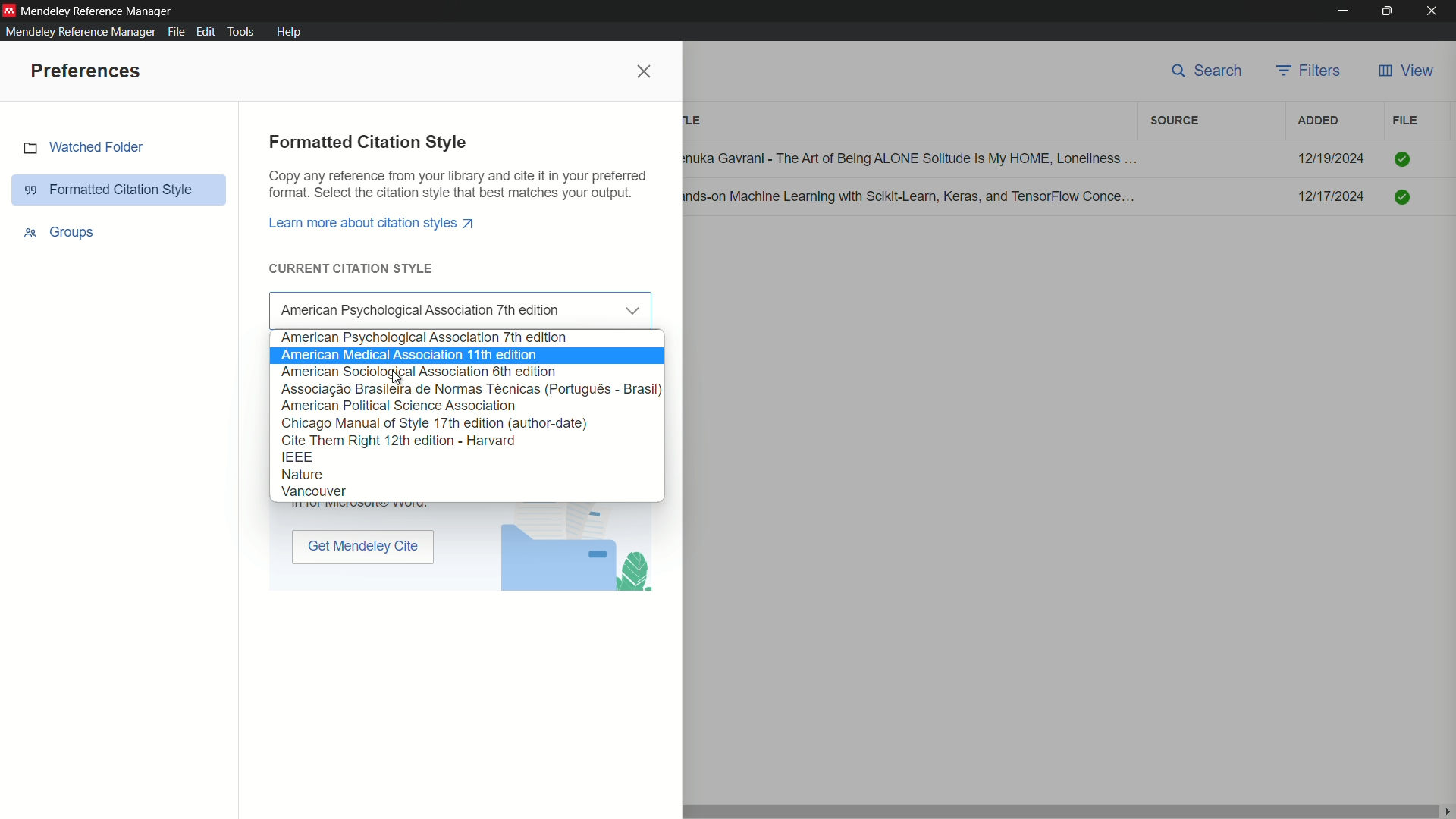 The height and width of the screenshot is (819, 1456). Describe the element at coordinates (1175, 121) in the screenshot. I see `filters` at that location.